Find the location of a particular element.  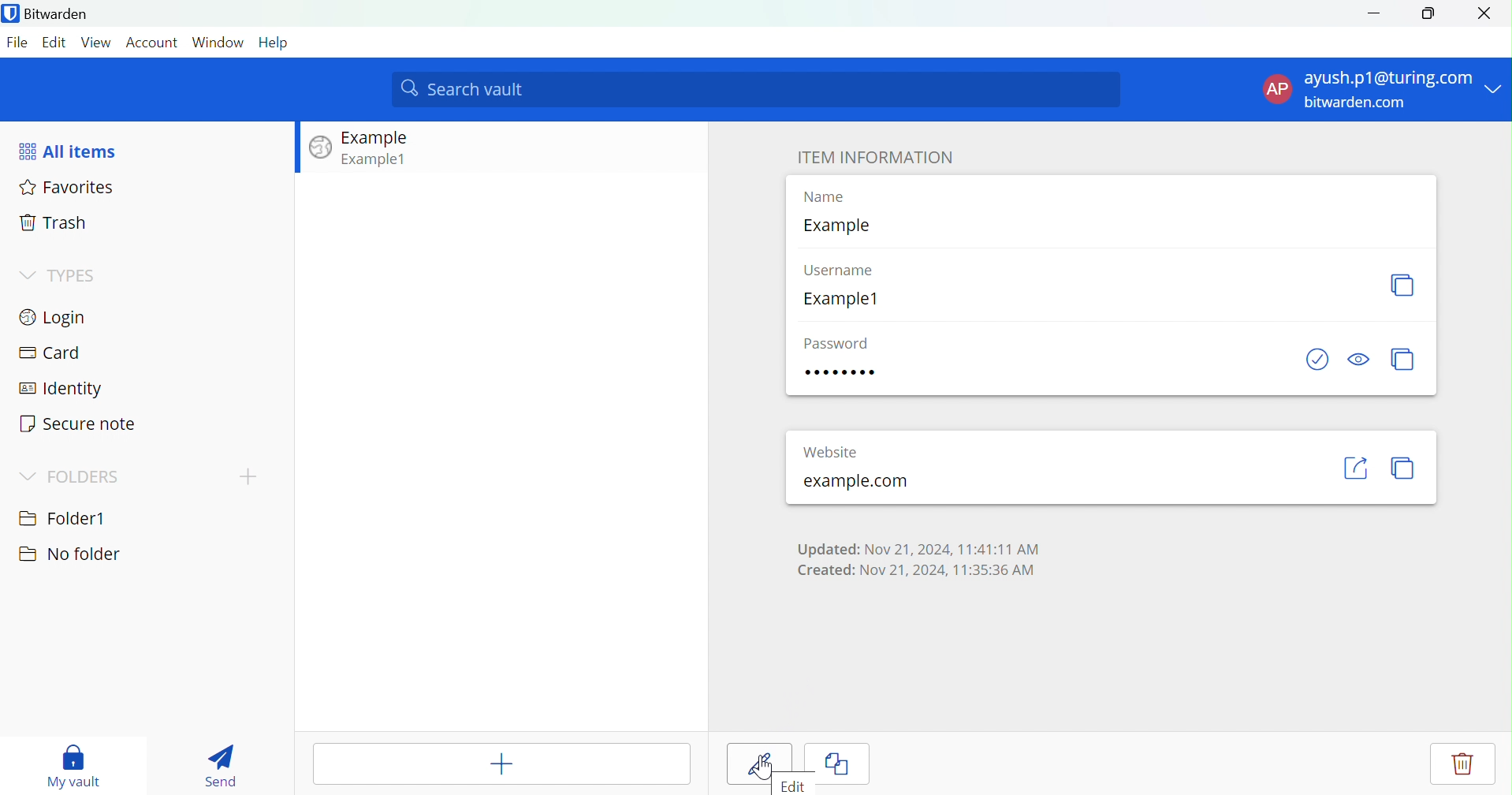

View is located at coordinates (98, 42).